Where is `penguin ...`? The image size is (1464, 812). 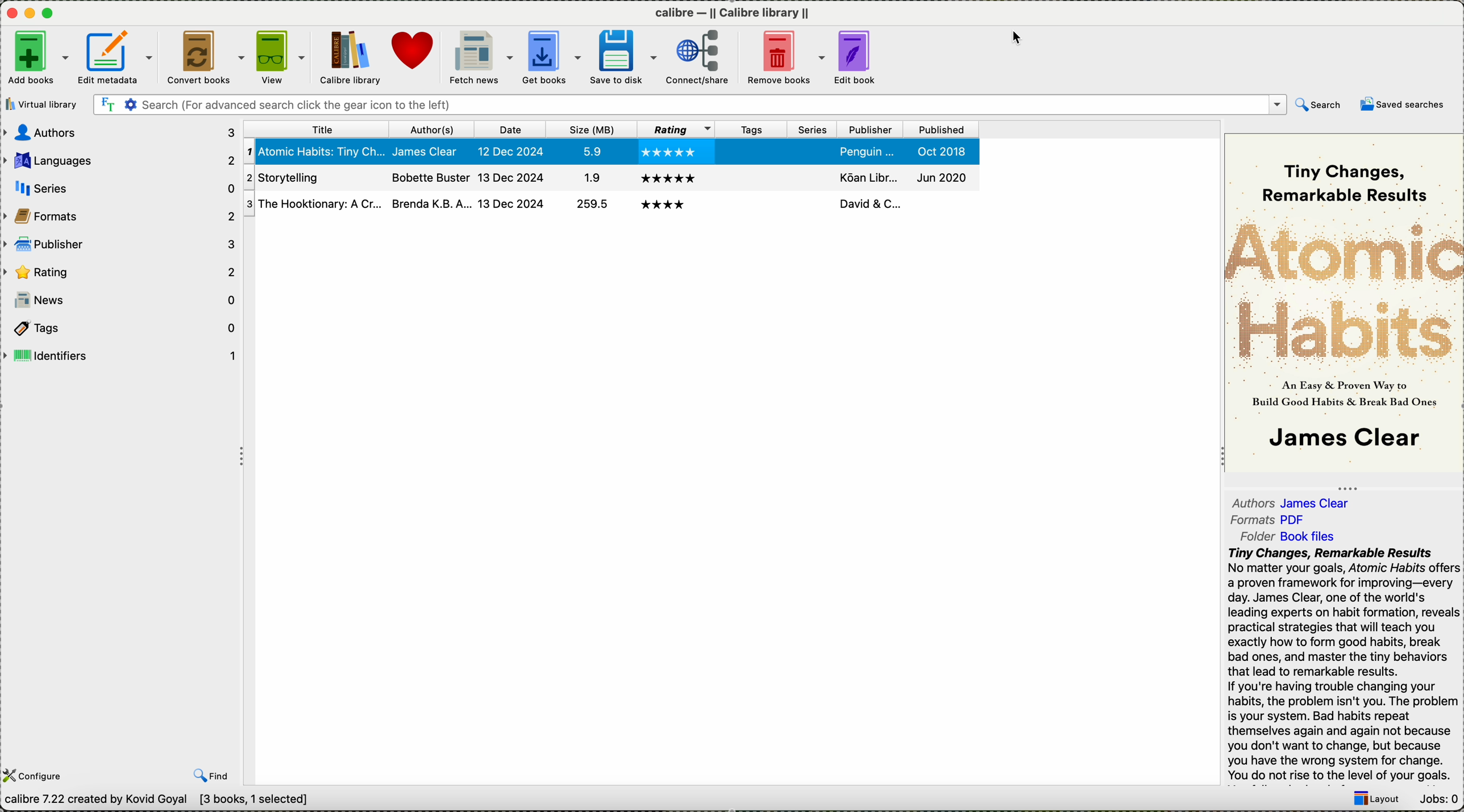 penguin ... is located at coordinates (868, 151).